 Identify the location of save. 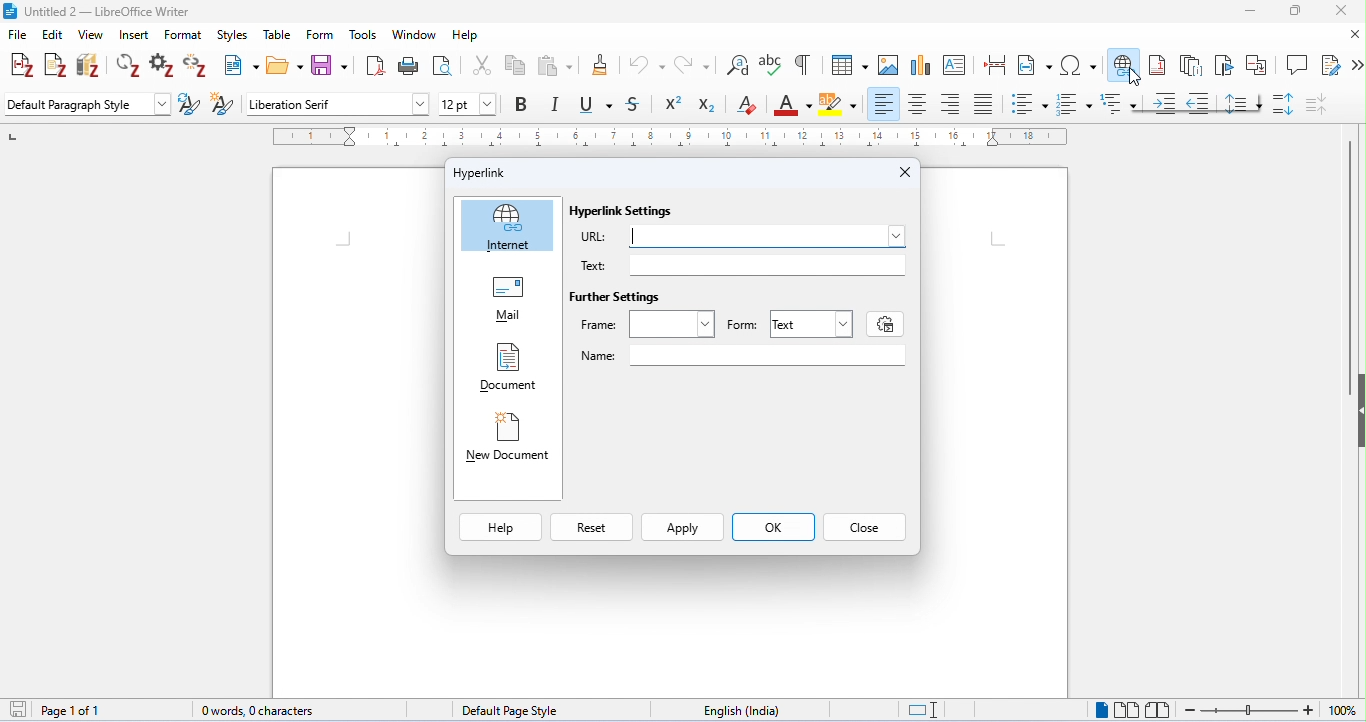
(330, 65).